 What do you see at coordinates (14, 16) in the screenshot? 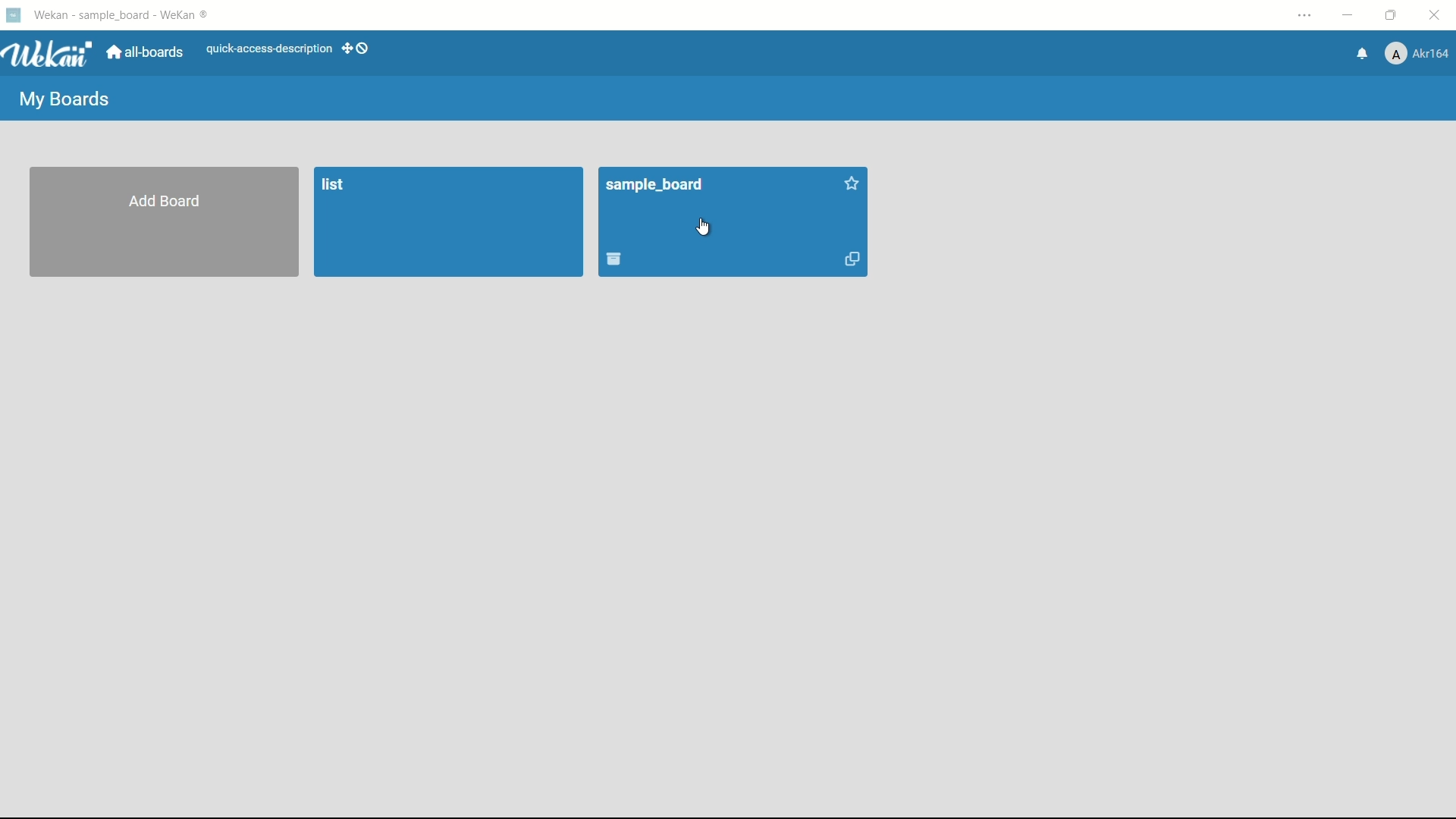
I see `wekan logo` at bounding box center [14, 16].